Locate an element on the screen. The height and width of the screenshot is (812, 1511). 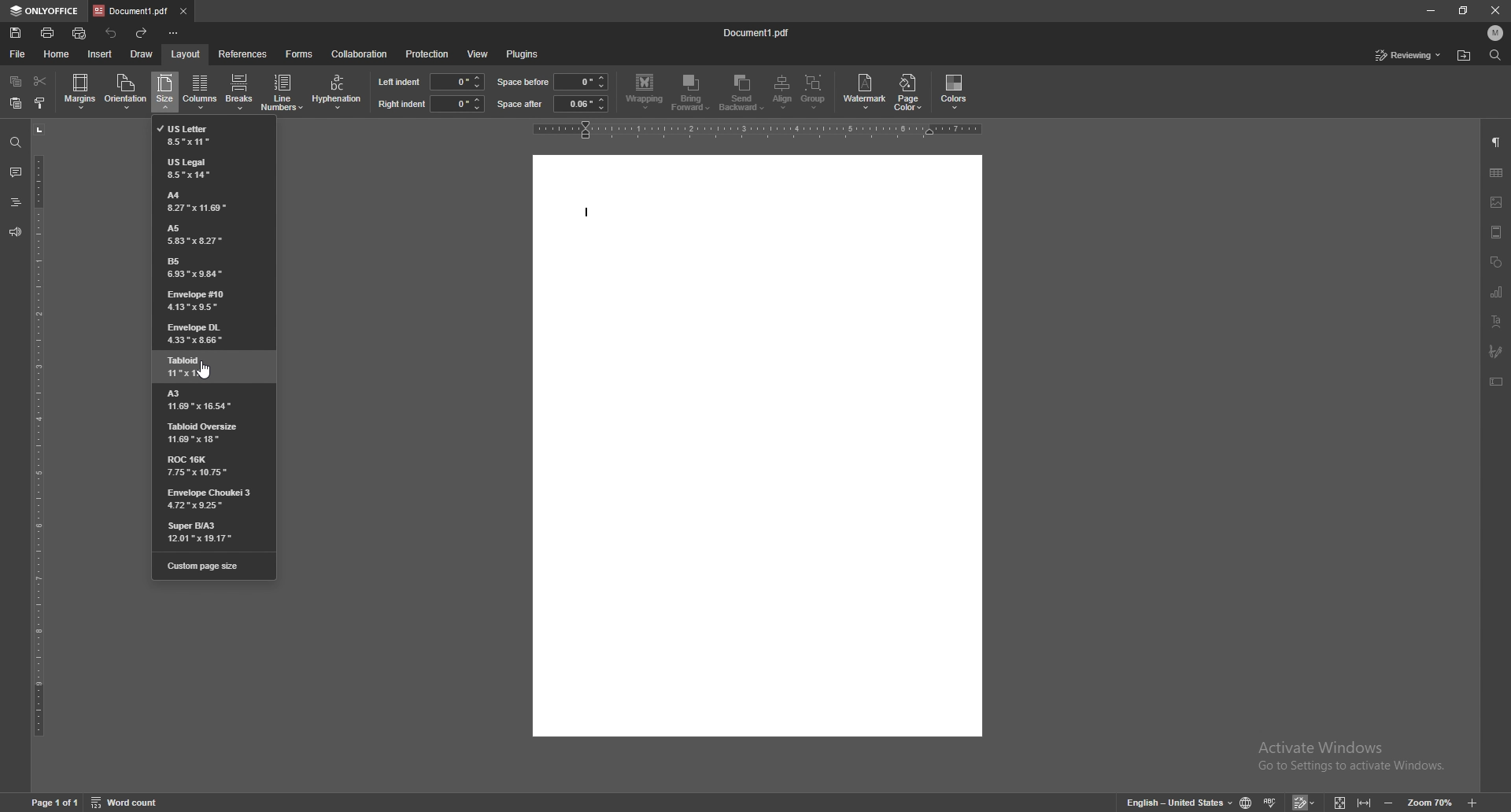
copy style is located at coordinates (40, 101).